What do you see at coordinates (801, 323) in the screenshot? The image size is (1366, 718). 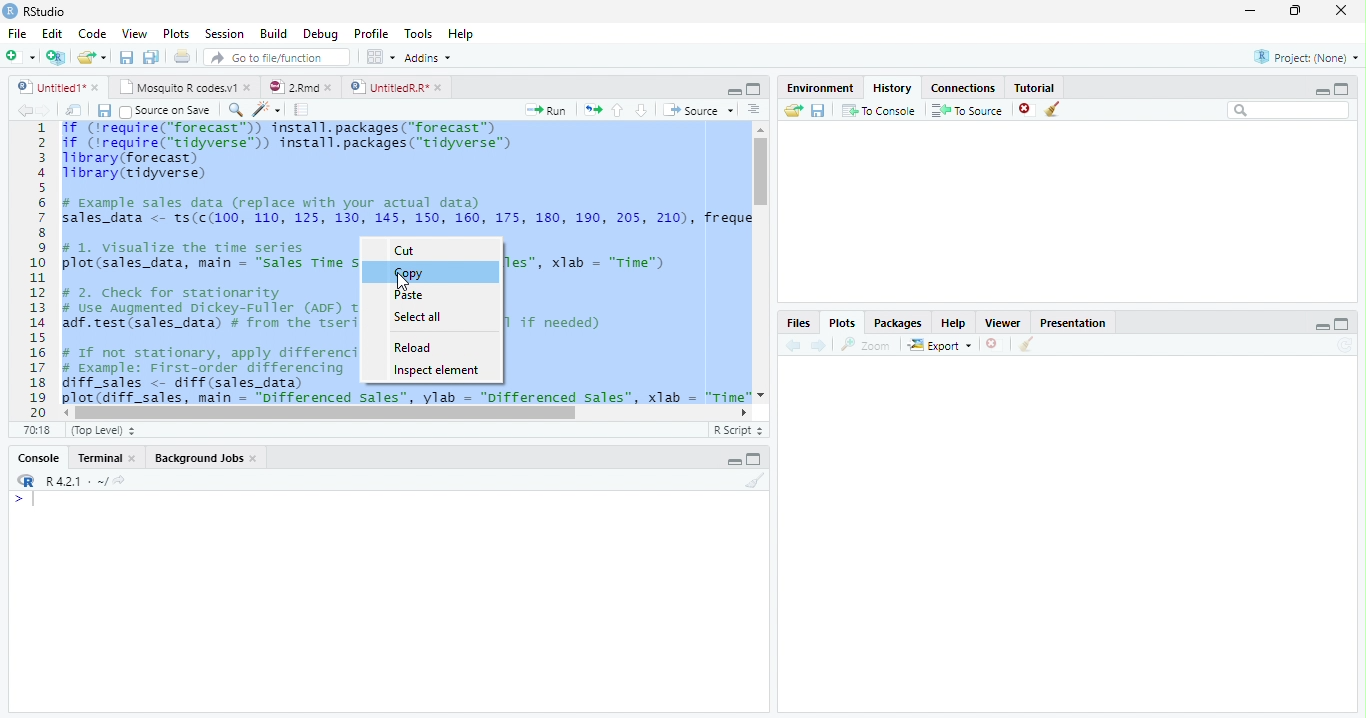 I see `Files` at bounding box center [801, 323].